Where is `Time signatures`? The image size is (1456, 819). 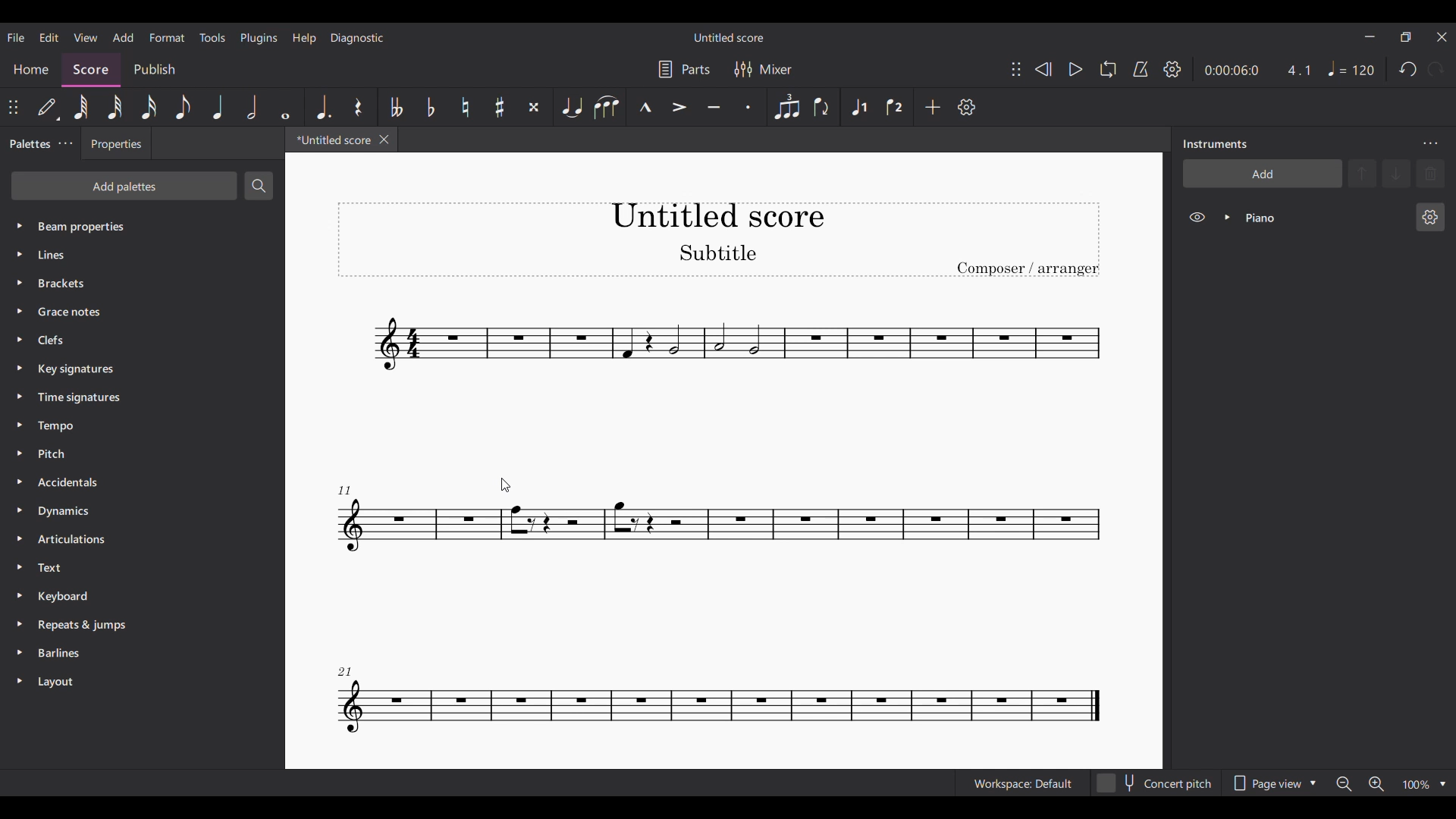
Time signatures is located at coordinates (136, 397).